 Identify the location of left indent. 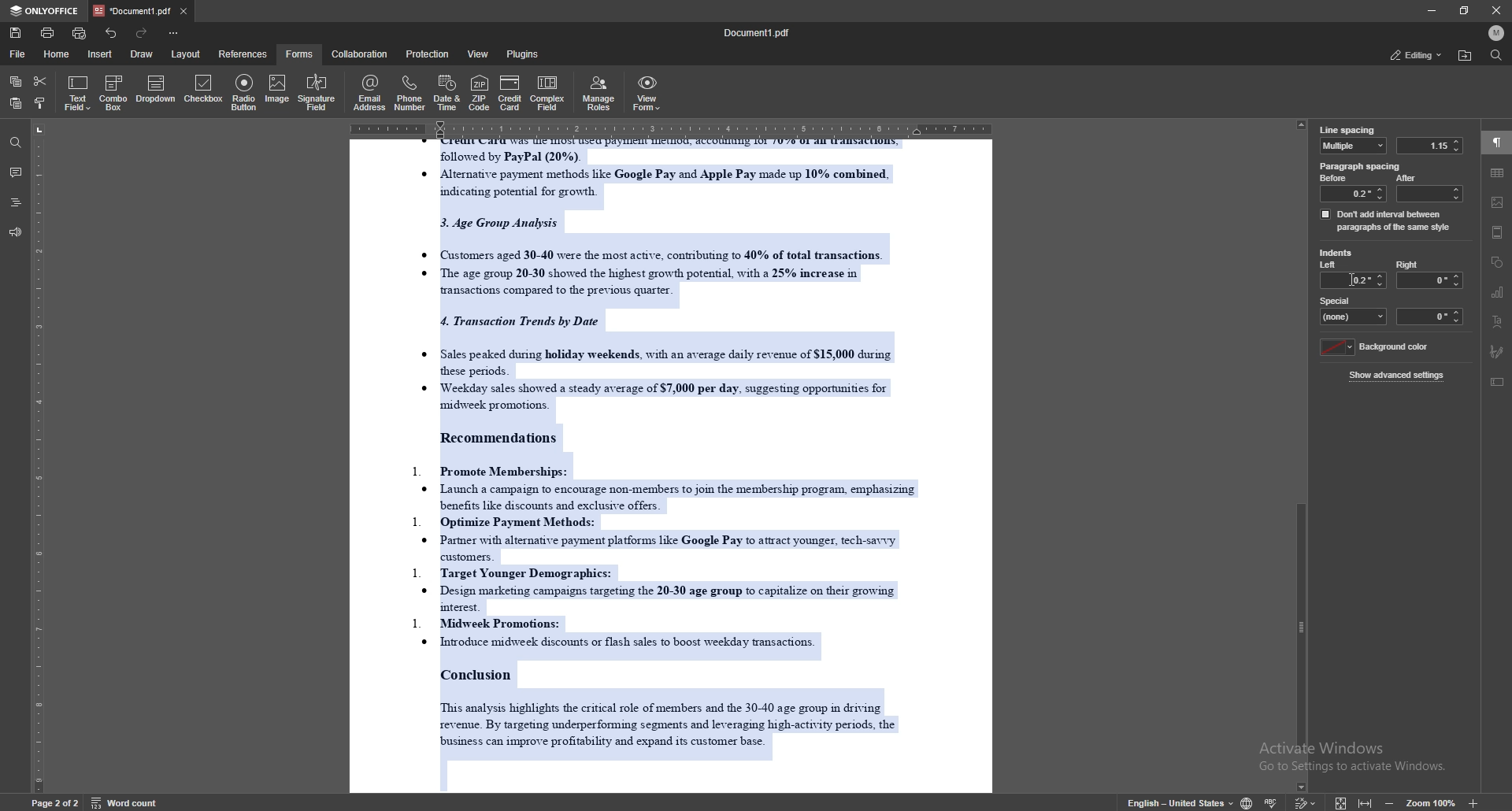
(1329, 266).